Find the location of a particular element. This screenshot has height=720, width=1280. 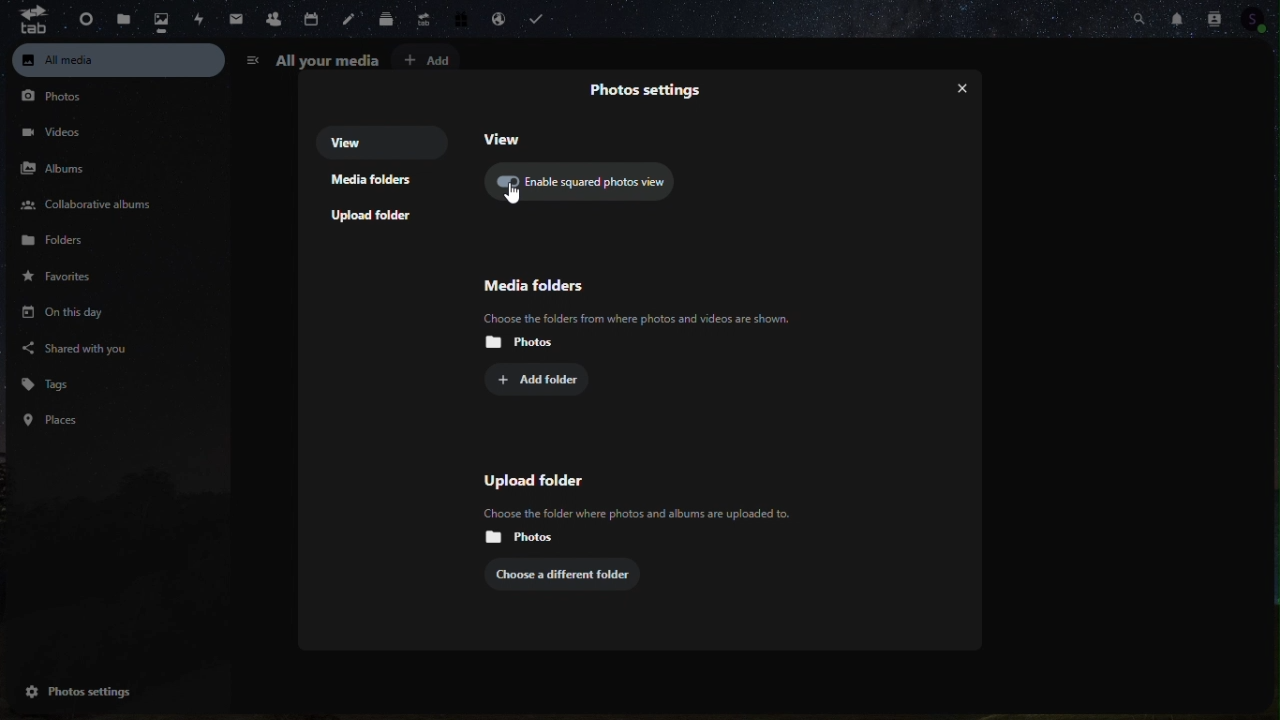

choose a different folder is located at coordinates (571, 572).